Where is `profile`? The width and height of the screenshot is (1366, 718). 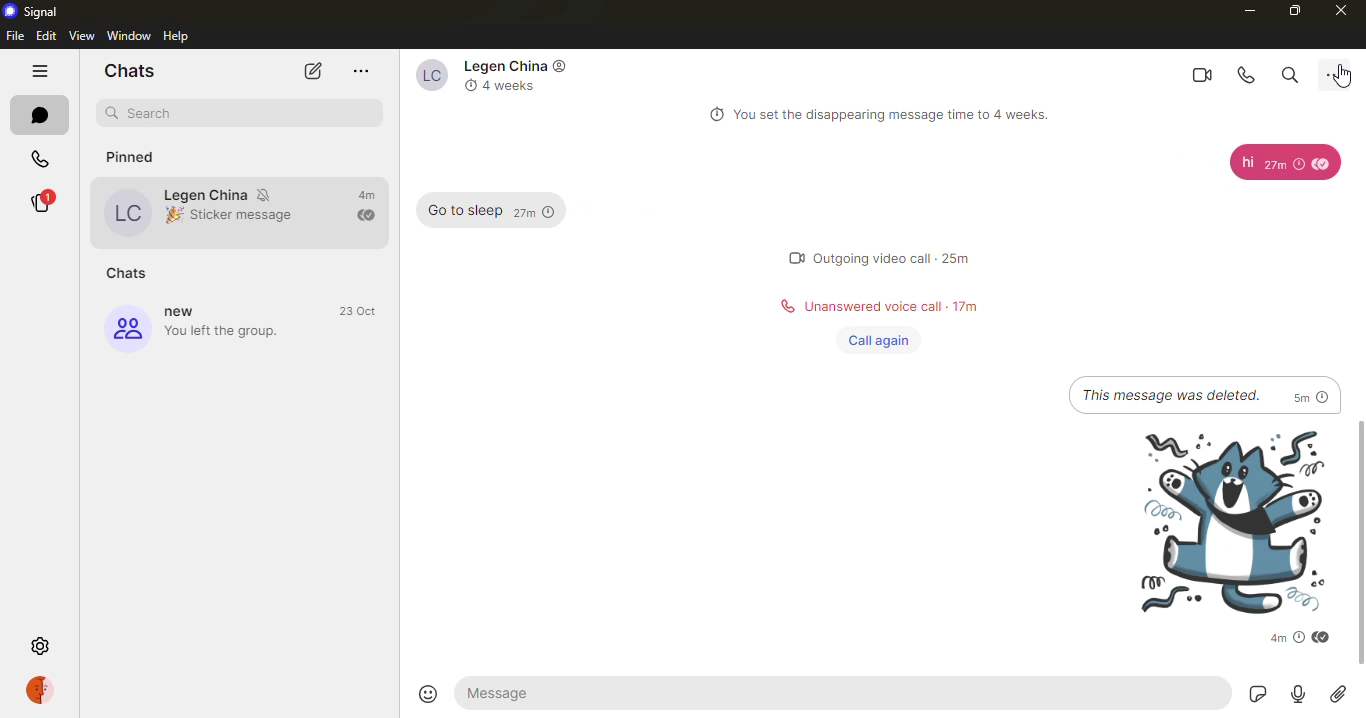
profile is located at coordinates (43, 691).